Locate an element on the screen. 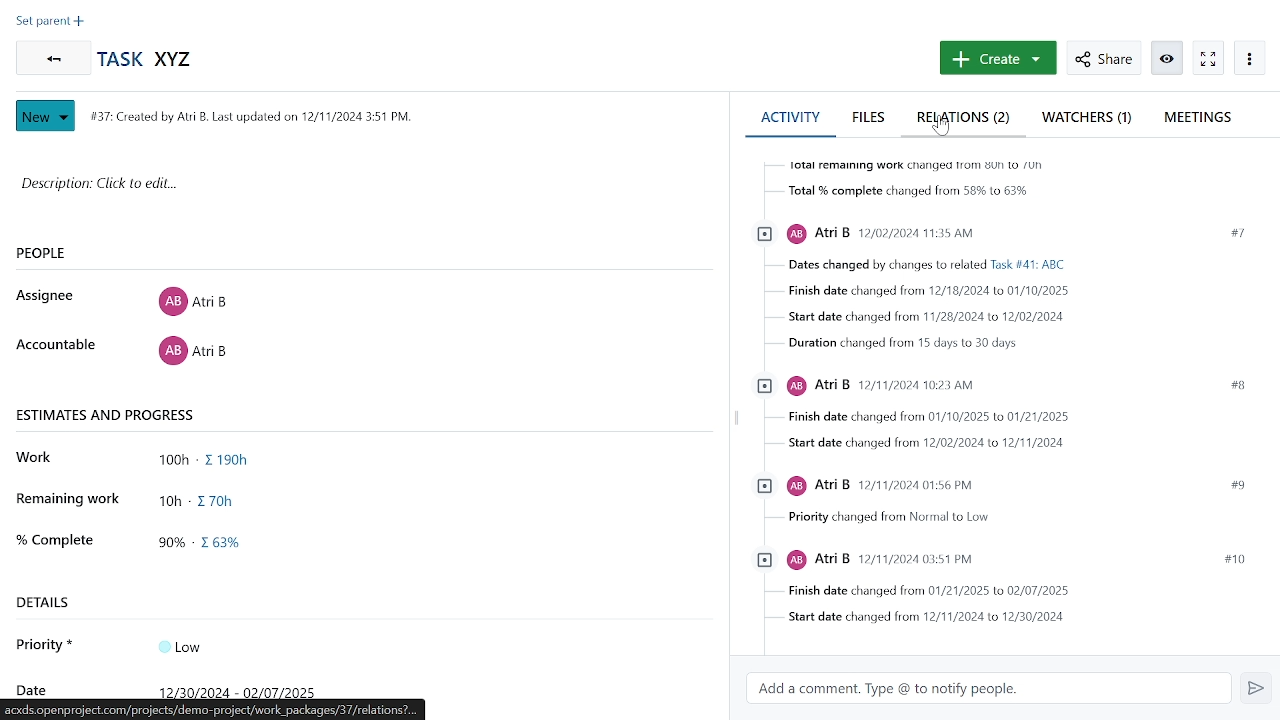 The width and height of the screenshot is (1280, 720). watchers is located at coordinates (1086, 120).